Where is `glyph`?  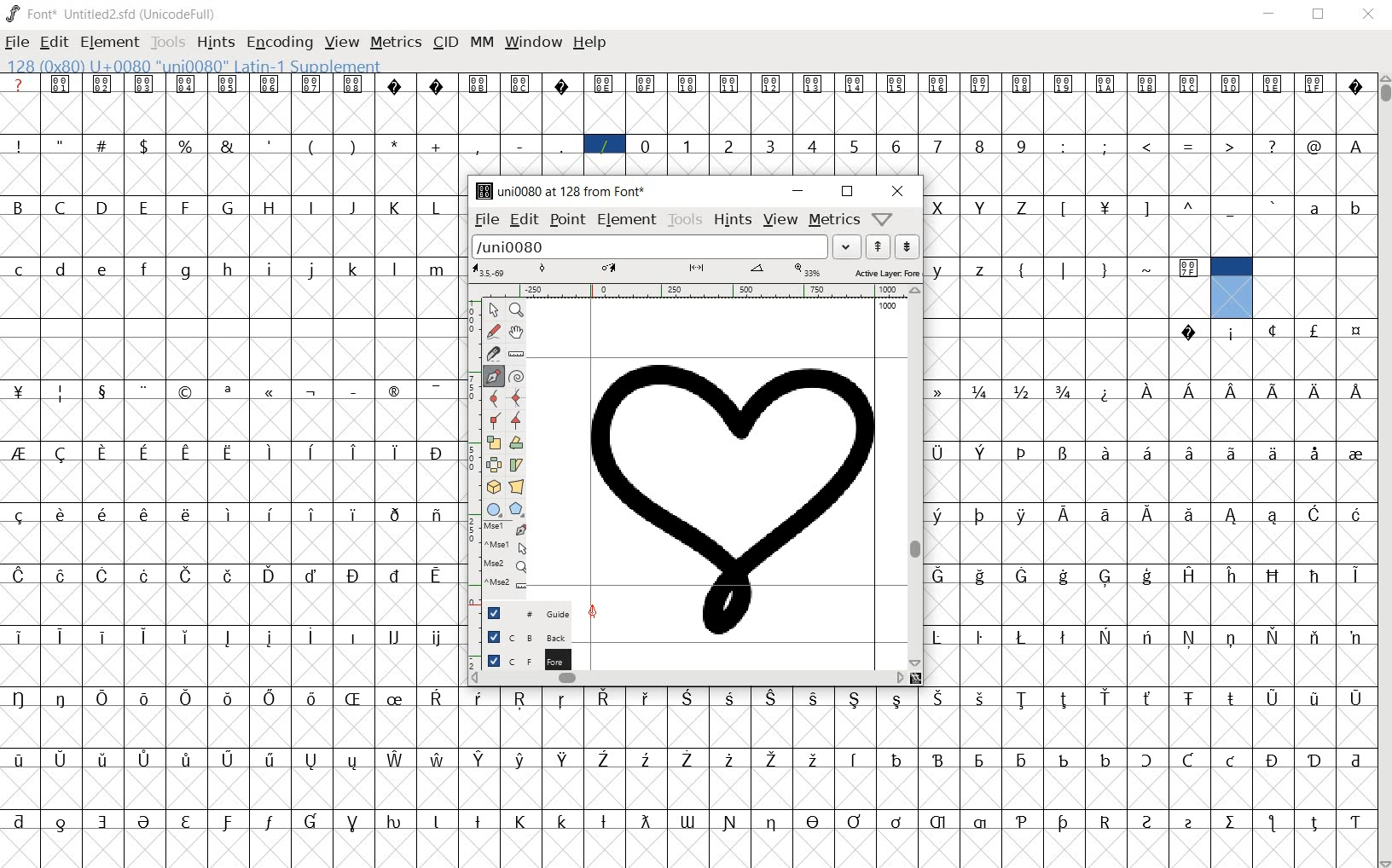
glyph is located at coordinates (1064, 761).